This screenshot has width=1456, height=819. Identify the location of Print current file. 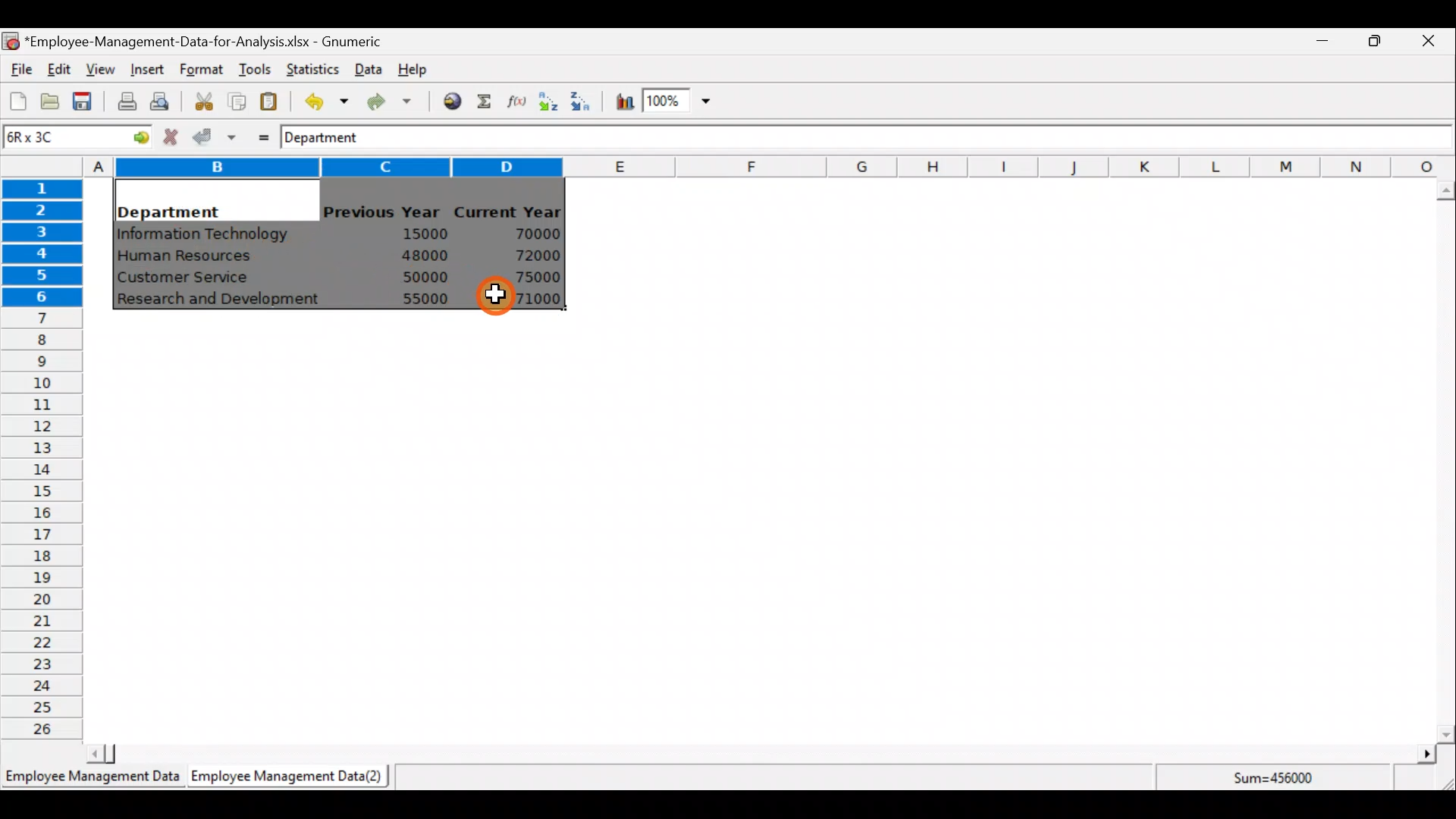
(127, 101).